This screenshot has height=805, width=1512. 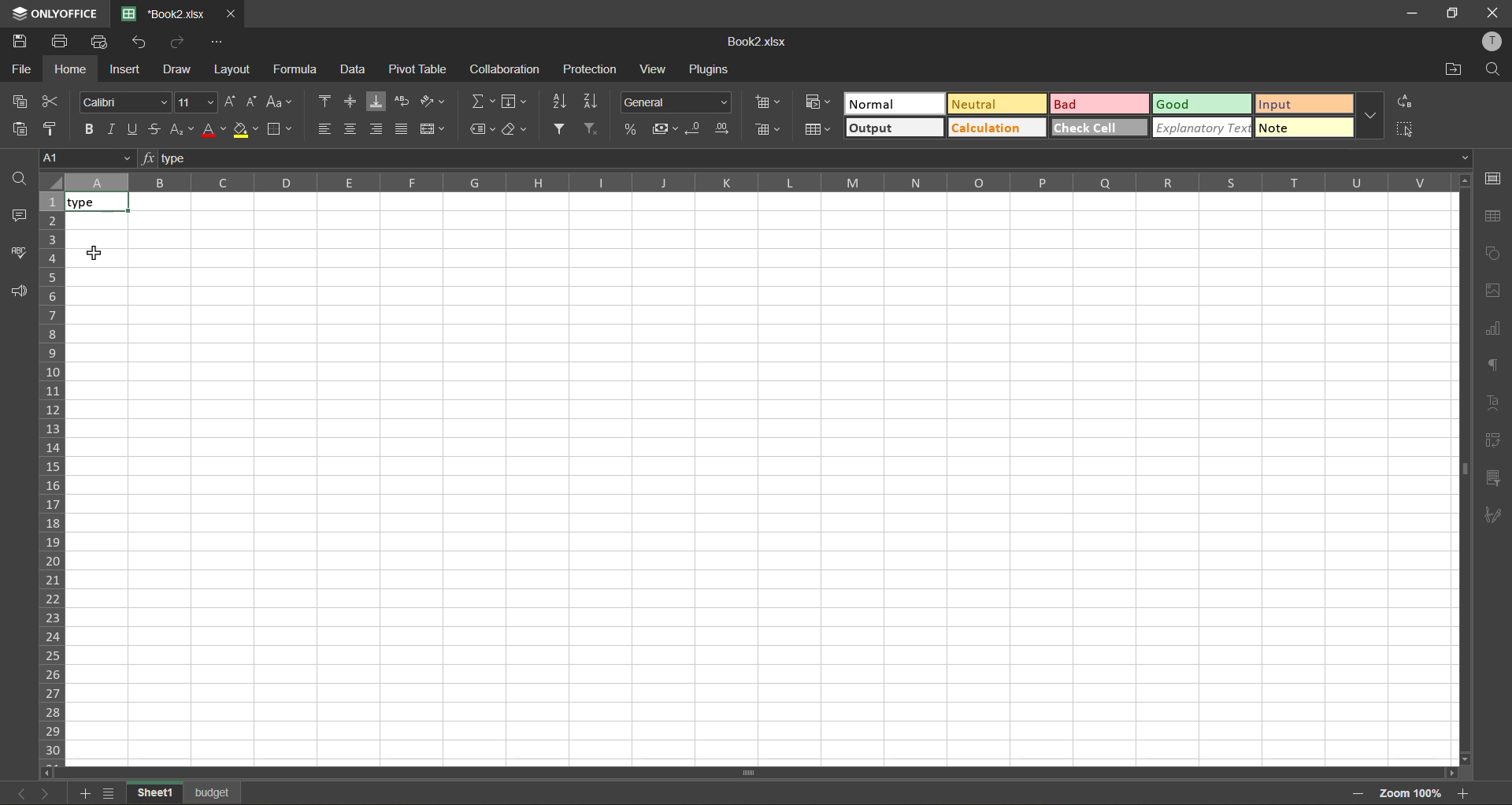 I want to click on wrap text, so click(x=405, y=102).